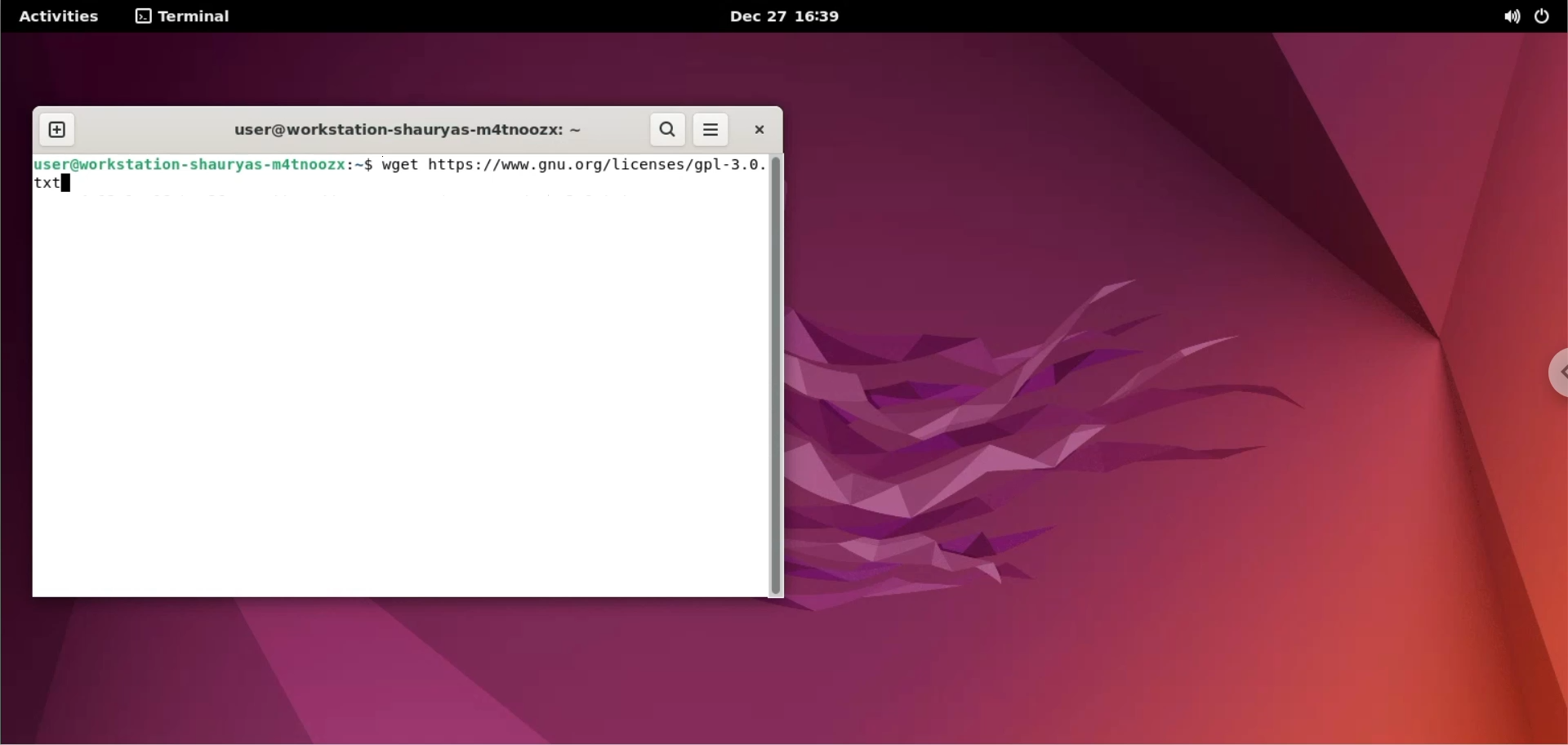  I want to click on .txt, so click(55, 191).